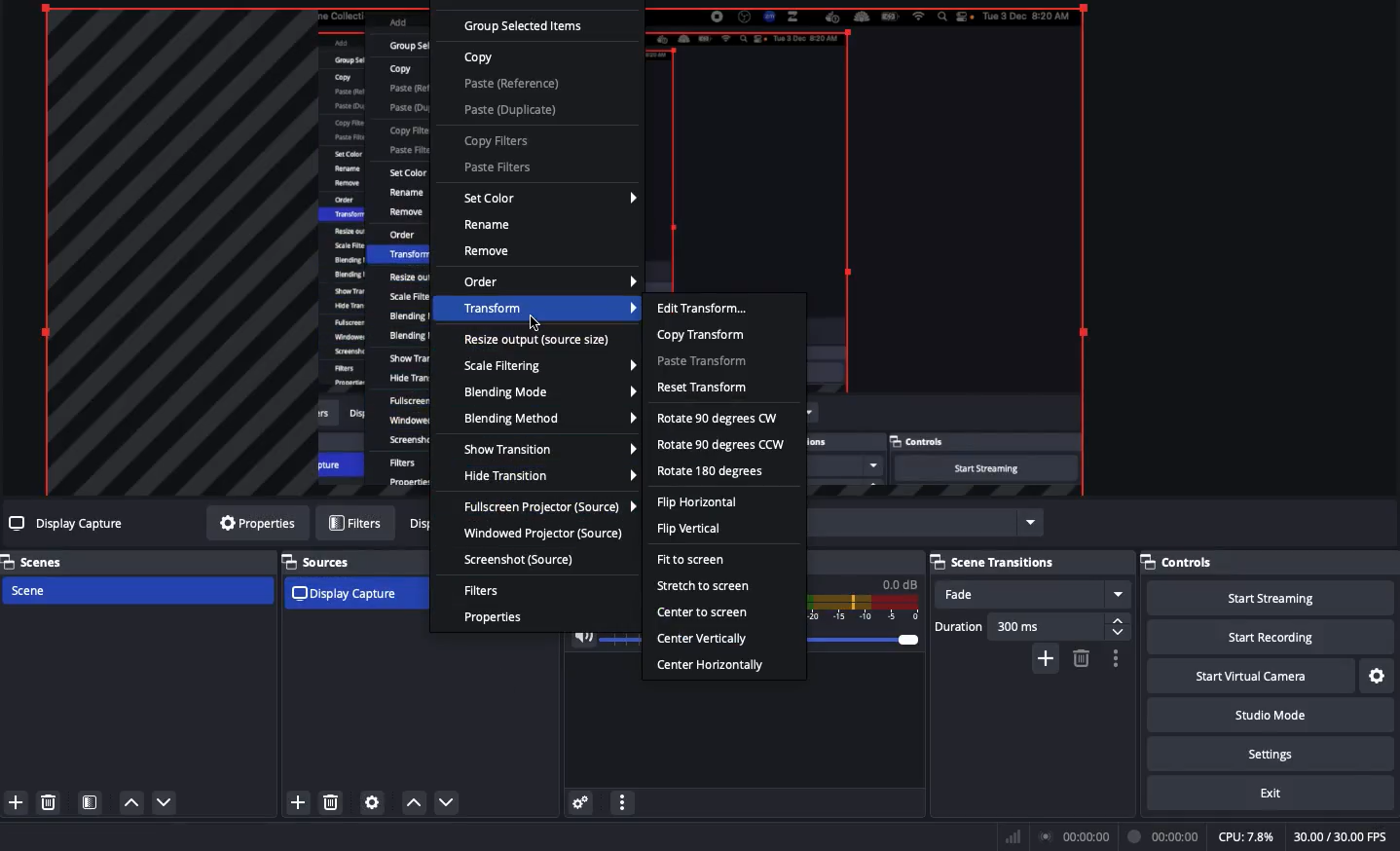 Image resolution: width=1400 pixels, height=851 pixels. I want to click on Group selected items, so click(526, 28).